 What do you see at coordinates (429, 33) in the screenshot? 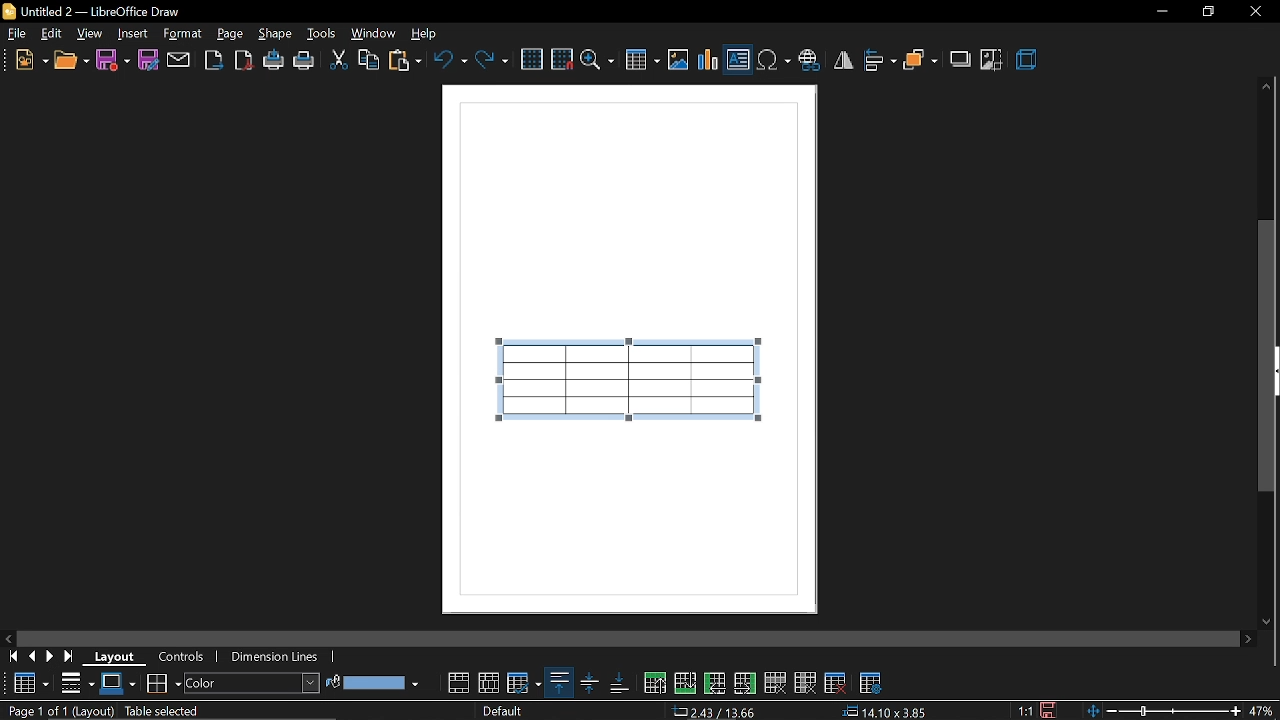
I see `help` at bounding box center [429, 33].